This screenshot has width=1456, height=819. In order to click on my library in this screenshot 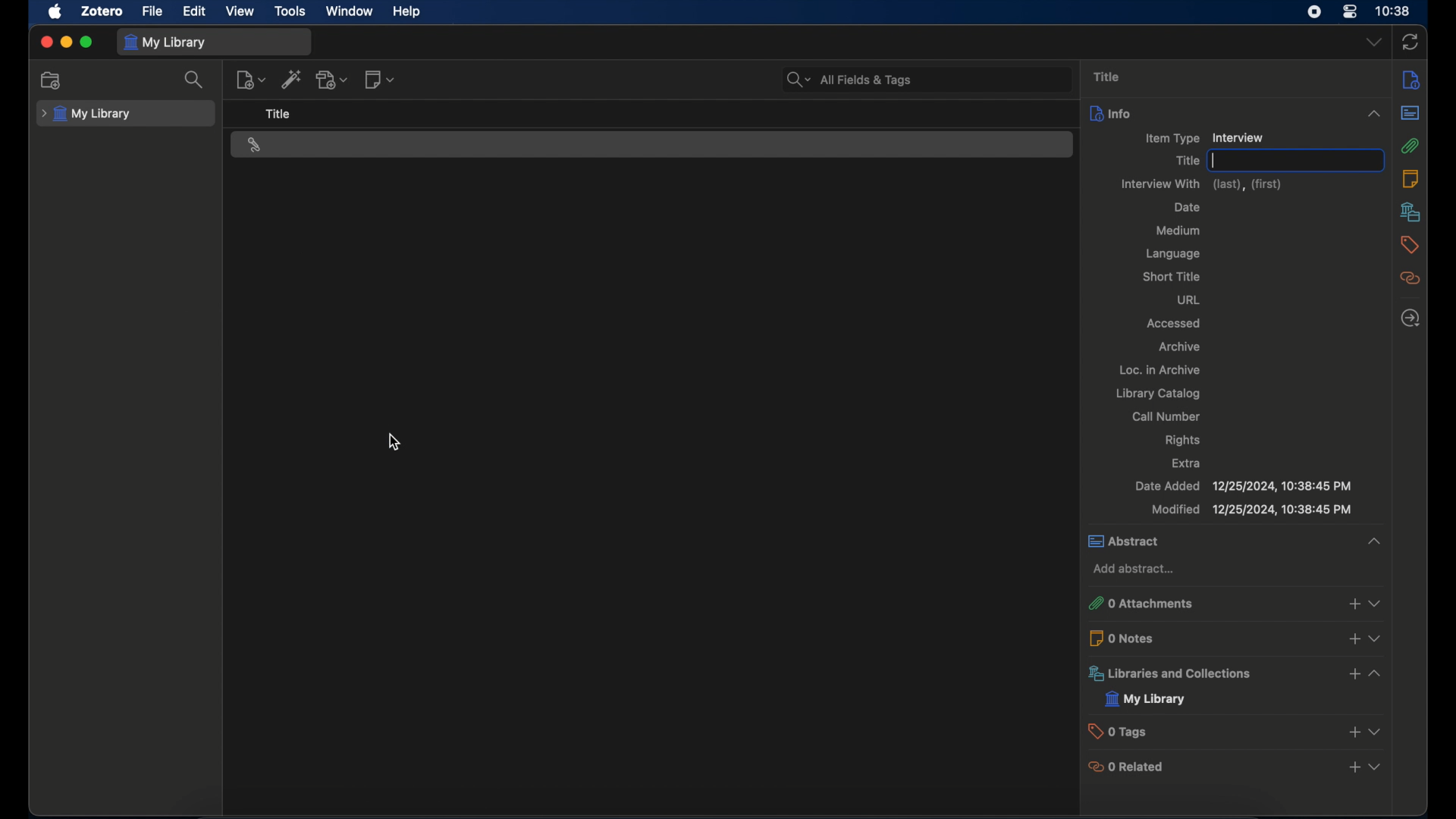, I will do `click(1147, 698)`.